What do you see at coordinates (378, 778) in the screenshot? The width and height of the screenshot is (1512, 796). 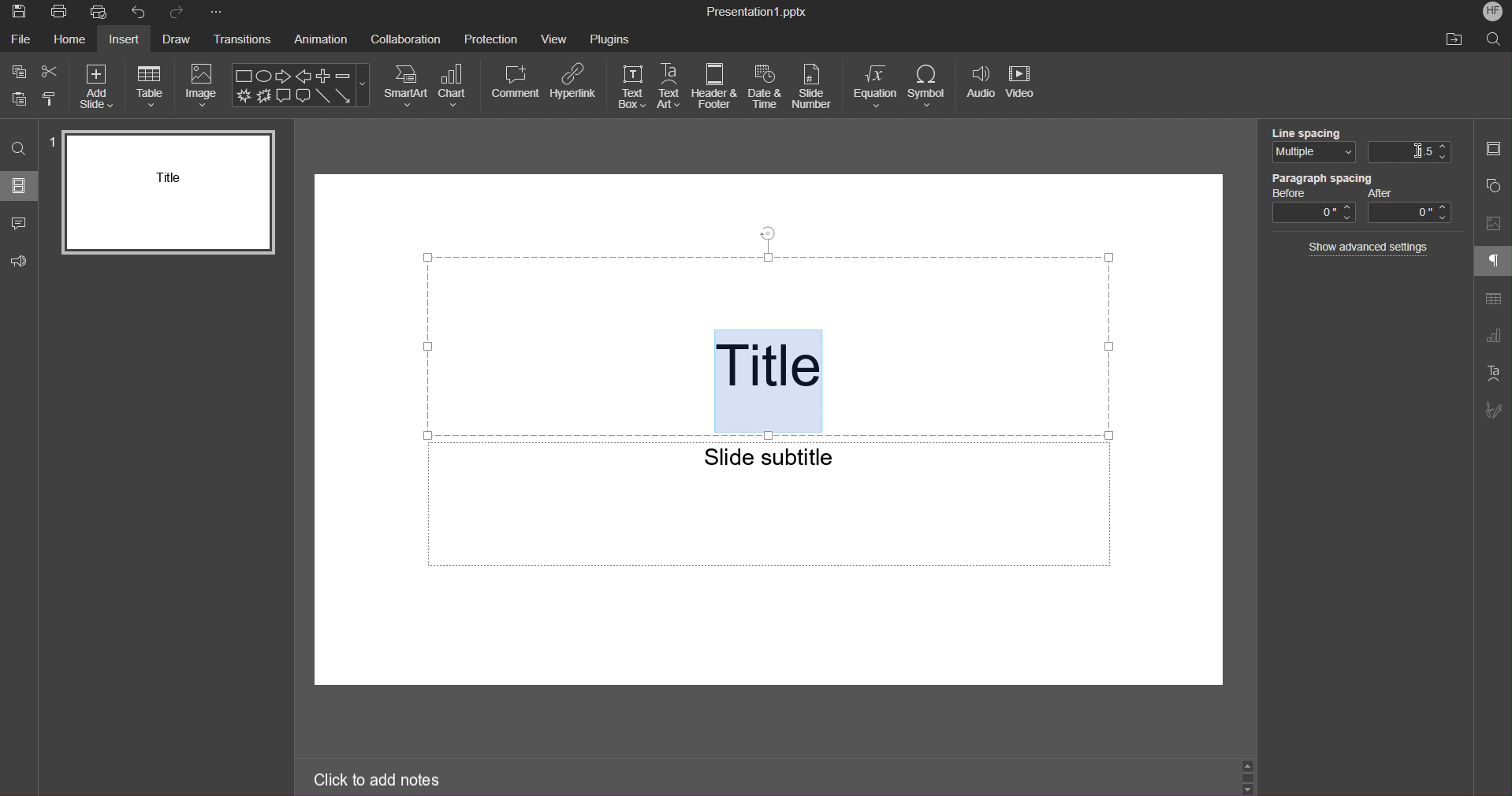 I see `Click to add notes` at bounding box center [378, 778].